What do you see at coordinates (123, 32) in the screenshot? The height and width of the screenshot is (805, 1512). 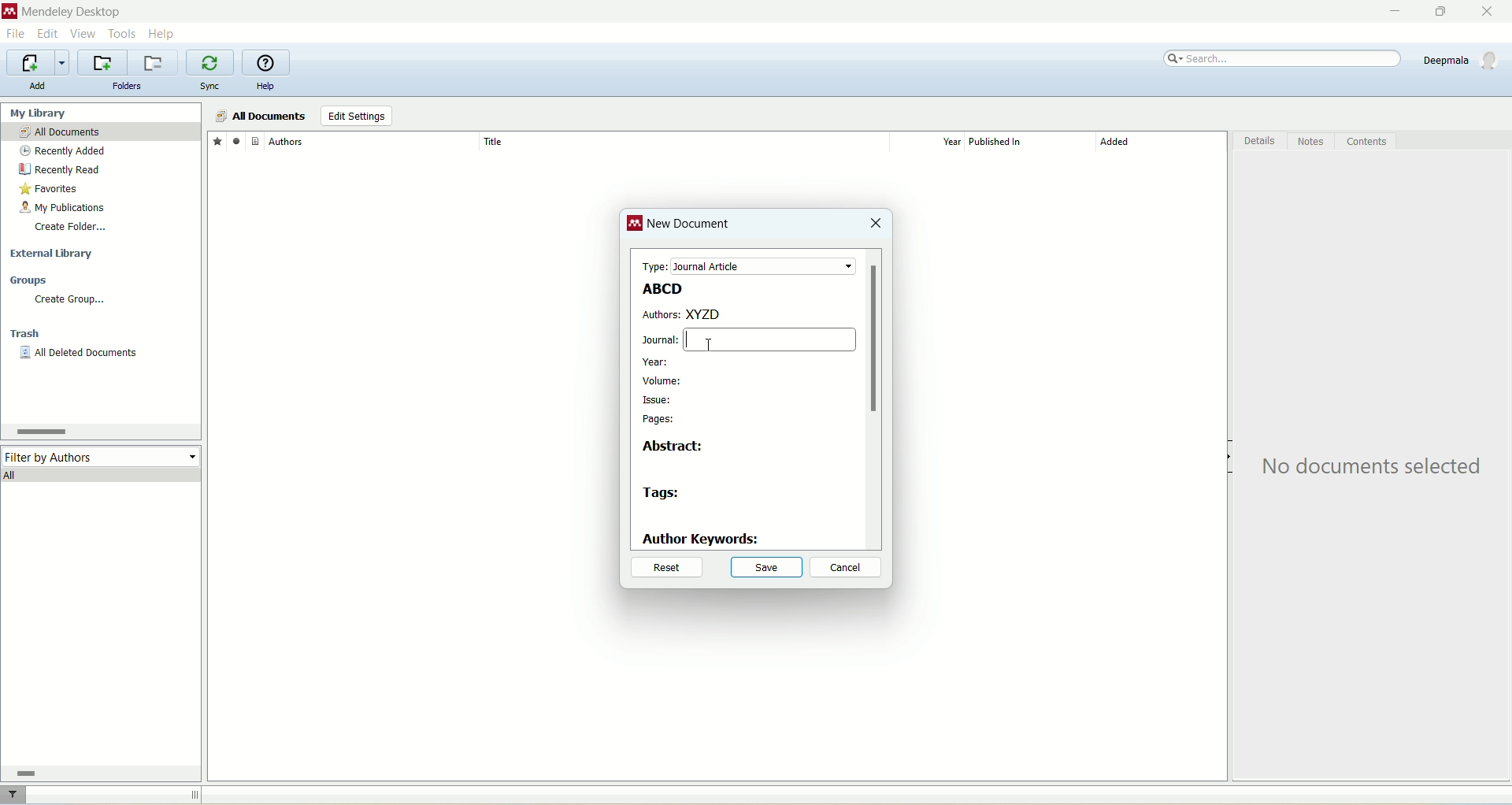 I see `tools` at bounding box center [123, 32].